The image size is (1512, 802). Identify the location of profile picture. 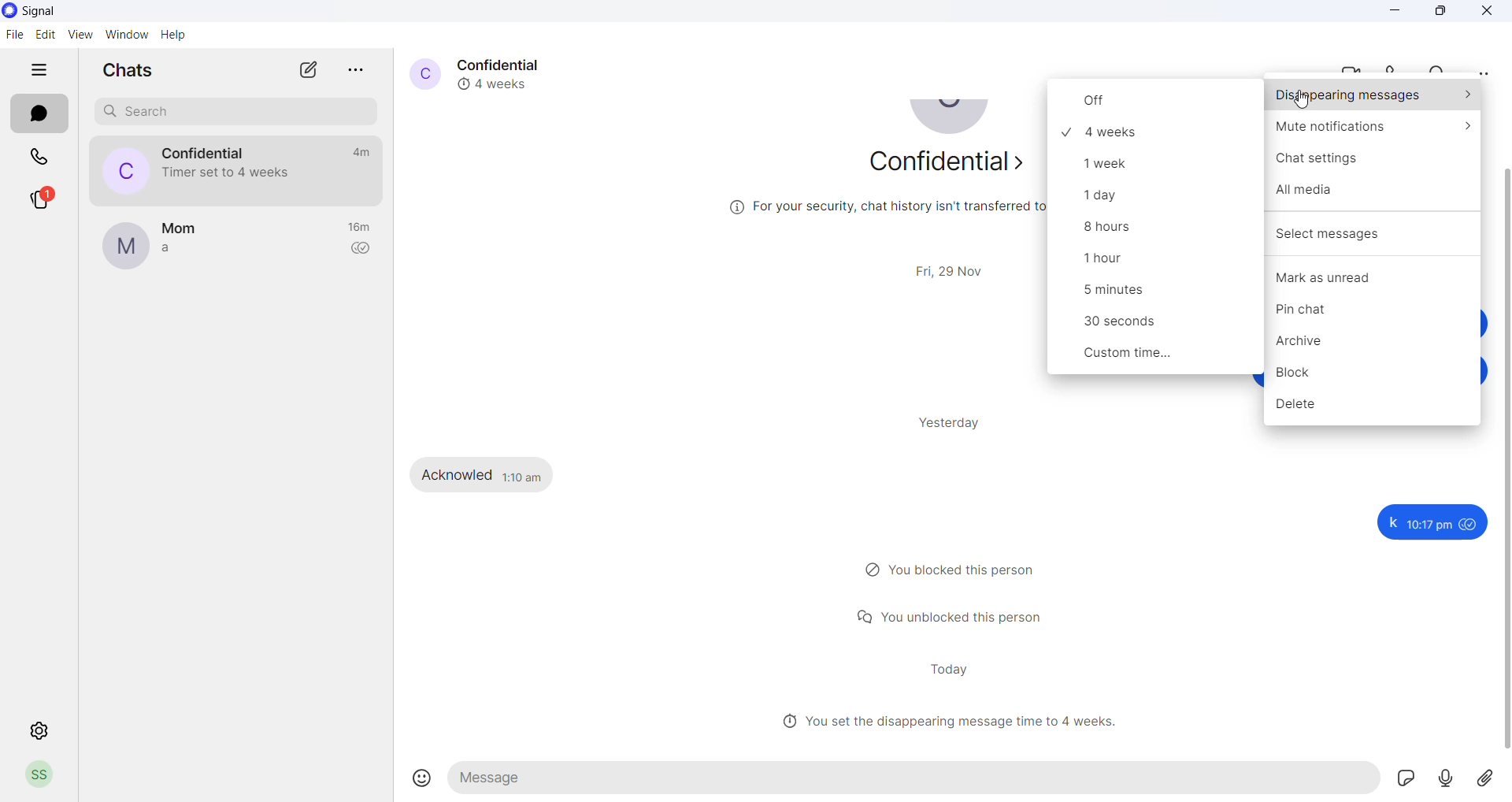
(953, 121).